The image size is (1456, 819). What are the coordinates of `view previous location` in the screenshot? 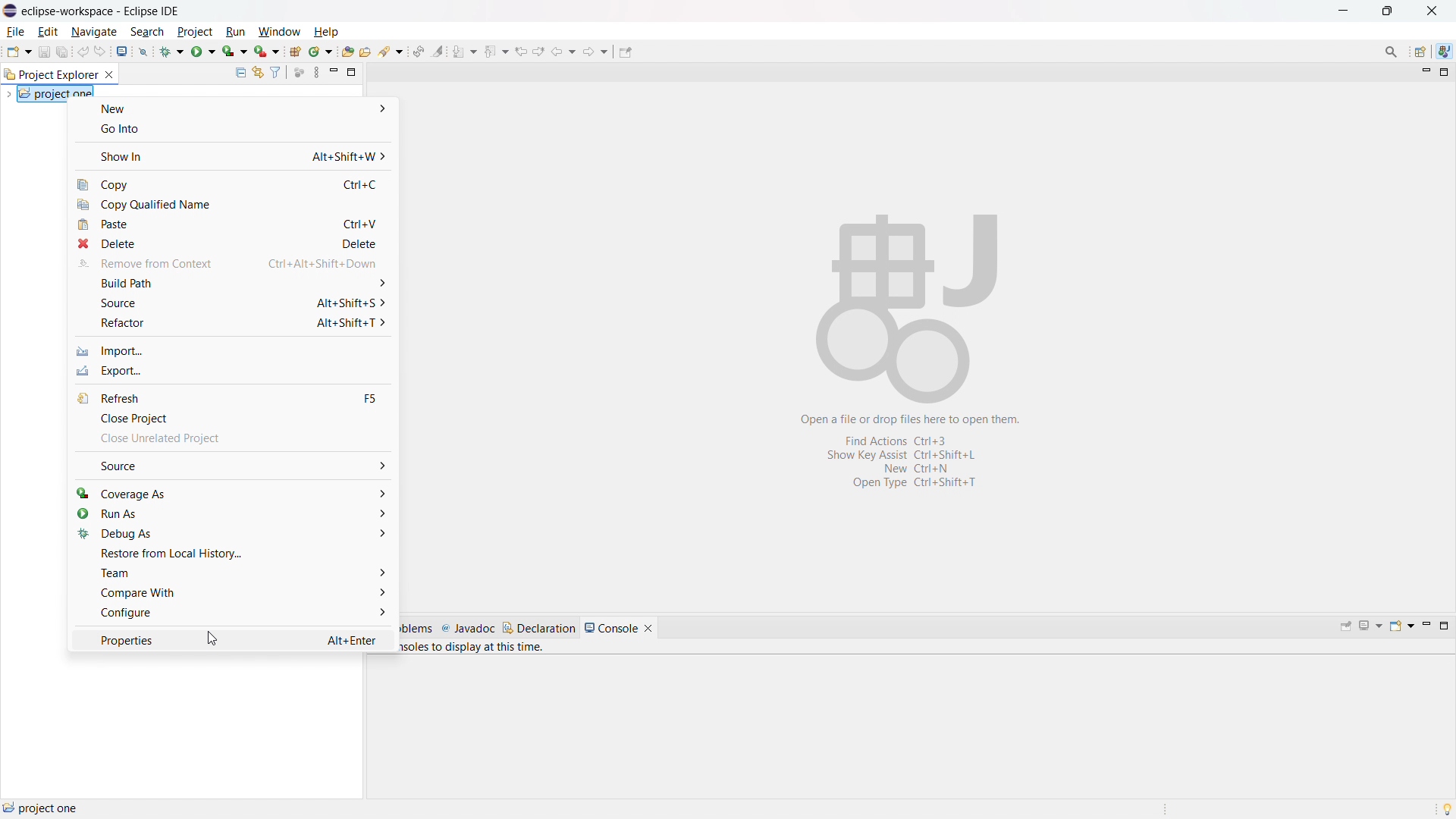 It's located at (521, 50).